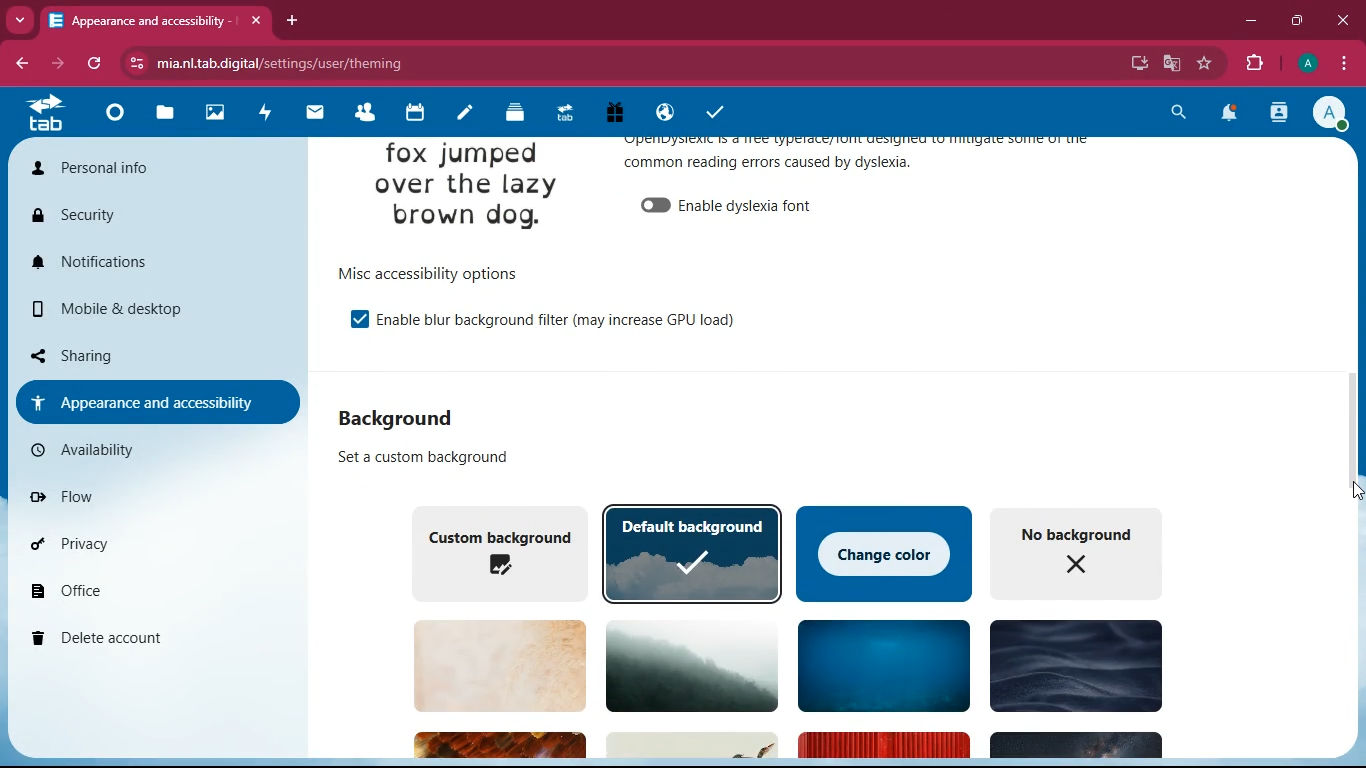  I want to click on custom background, so click(425, 456).